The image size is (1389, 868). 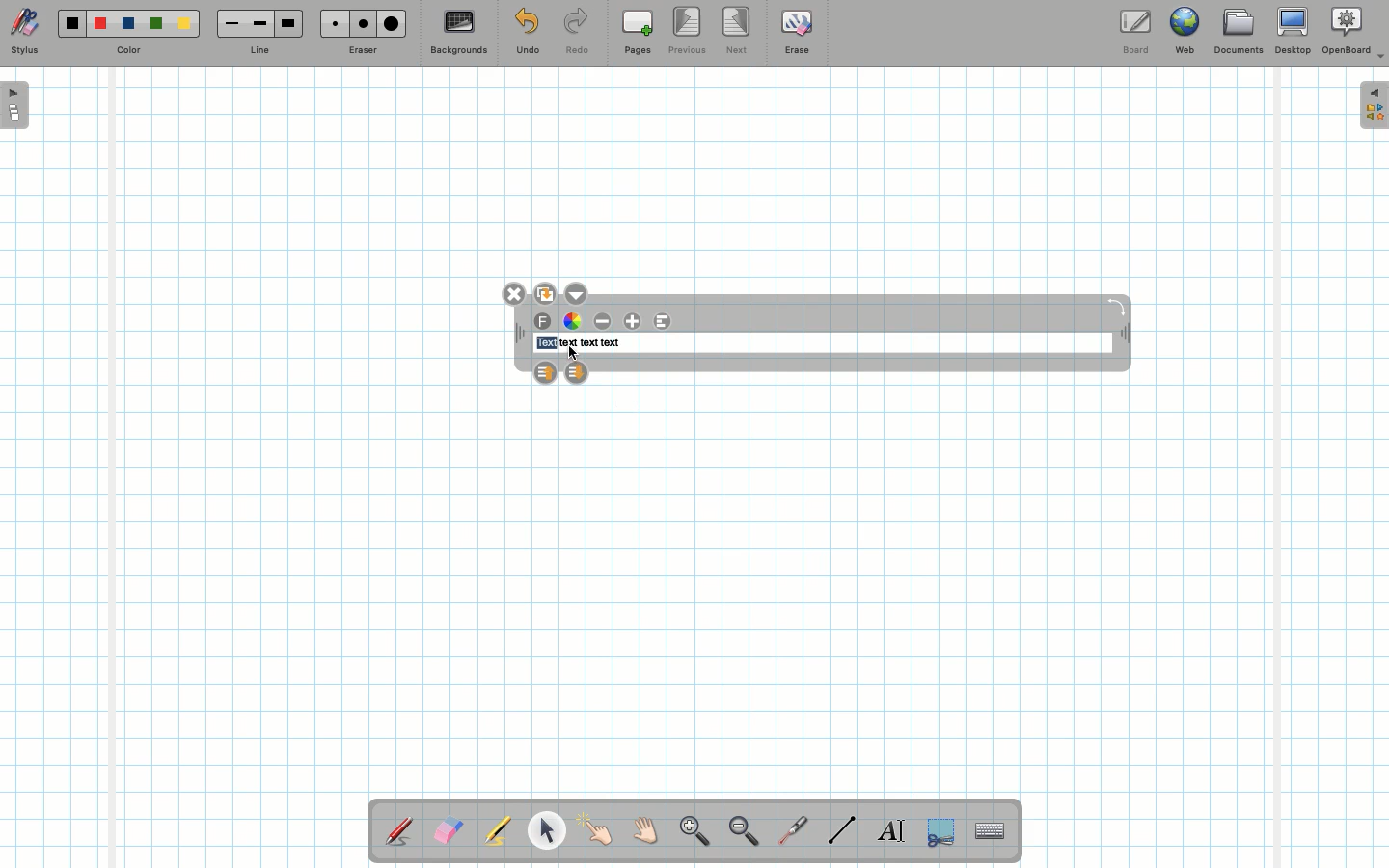 I want to click on Options, so click(x=576, y=292).